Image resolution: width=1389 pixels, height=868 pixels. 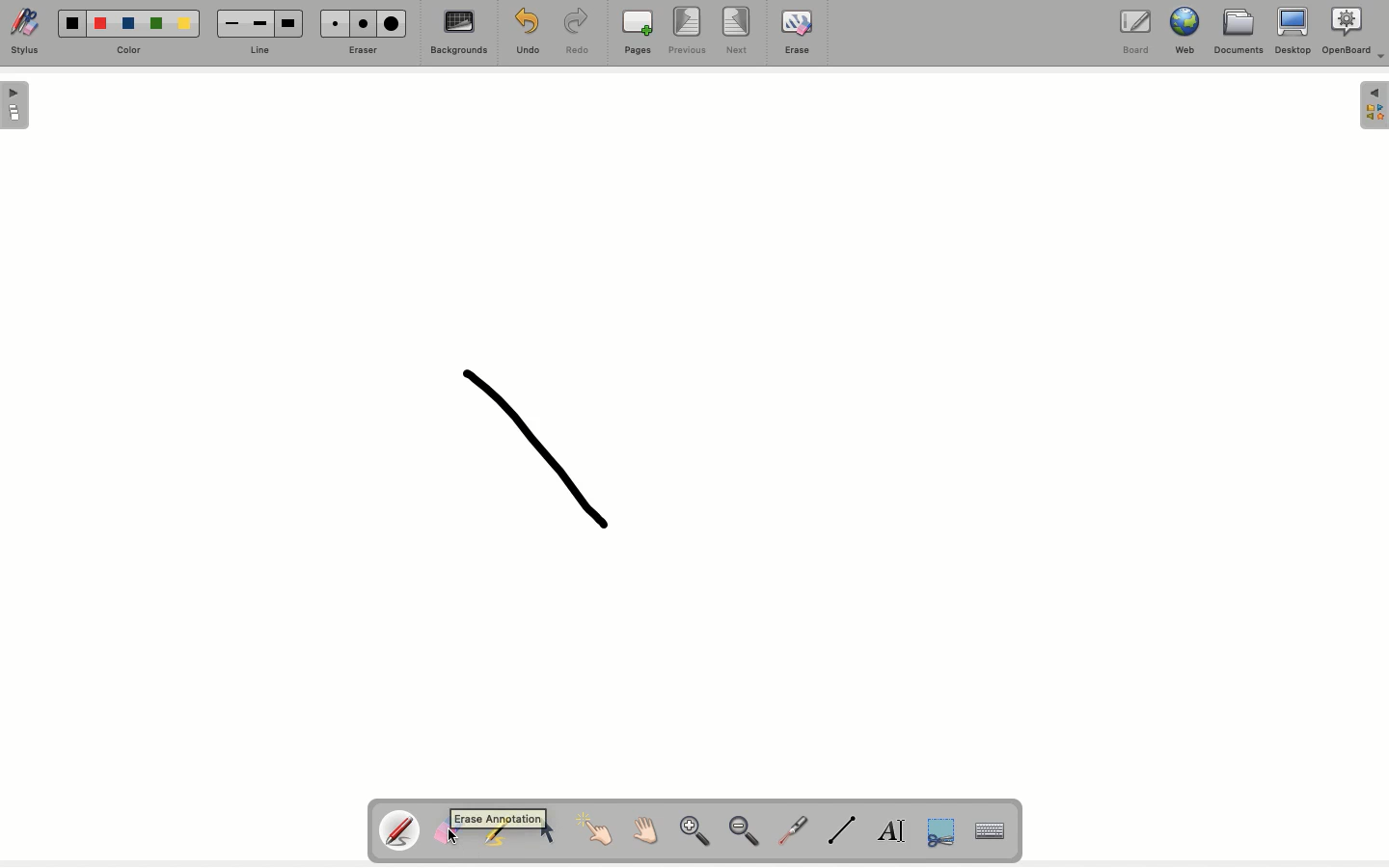 What do you see at coordinates (336, 23) in the screenshot?
I see `Small` at bounding box center [336, 23].